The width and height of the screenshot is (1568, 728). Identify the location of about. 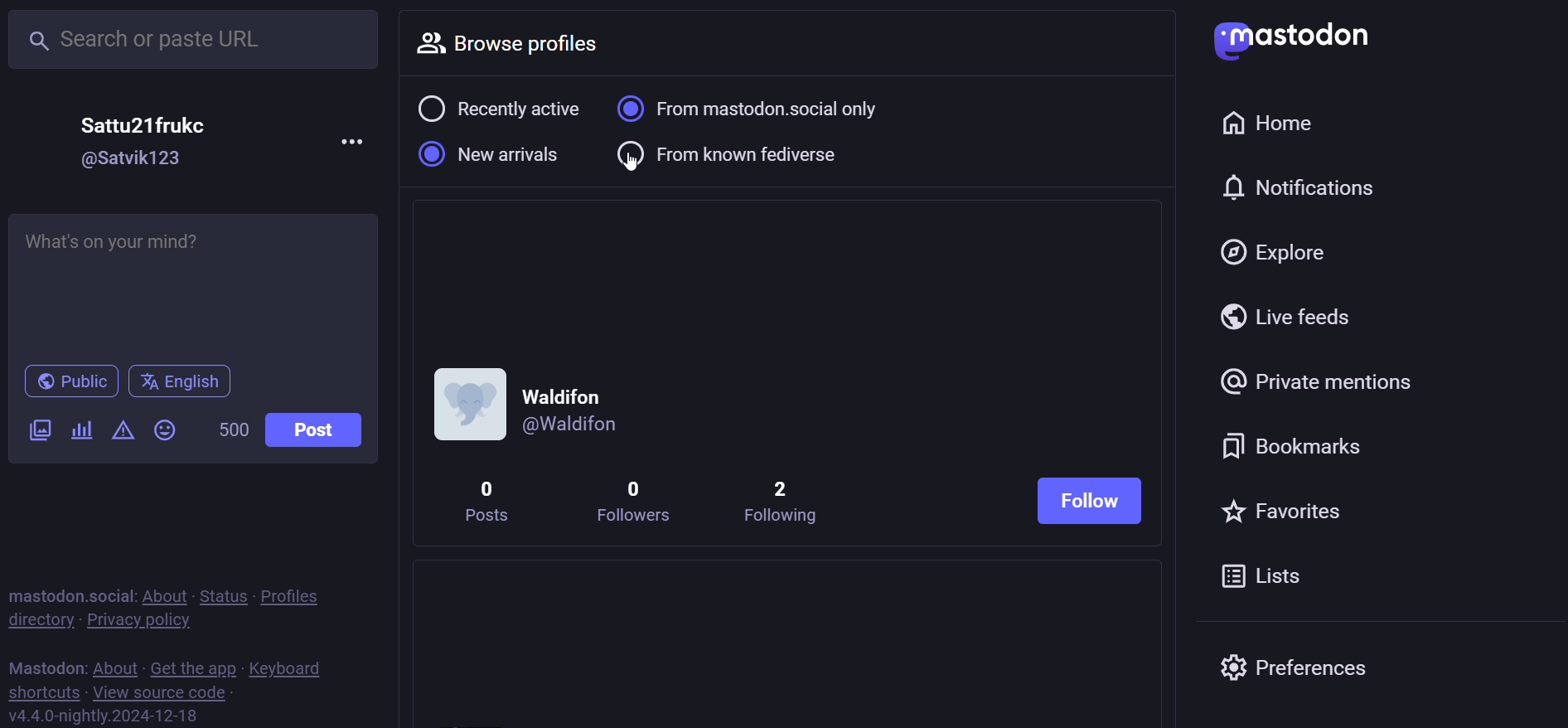
(115, 667).